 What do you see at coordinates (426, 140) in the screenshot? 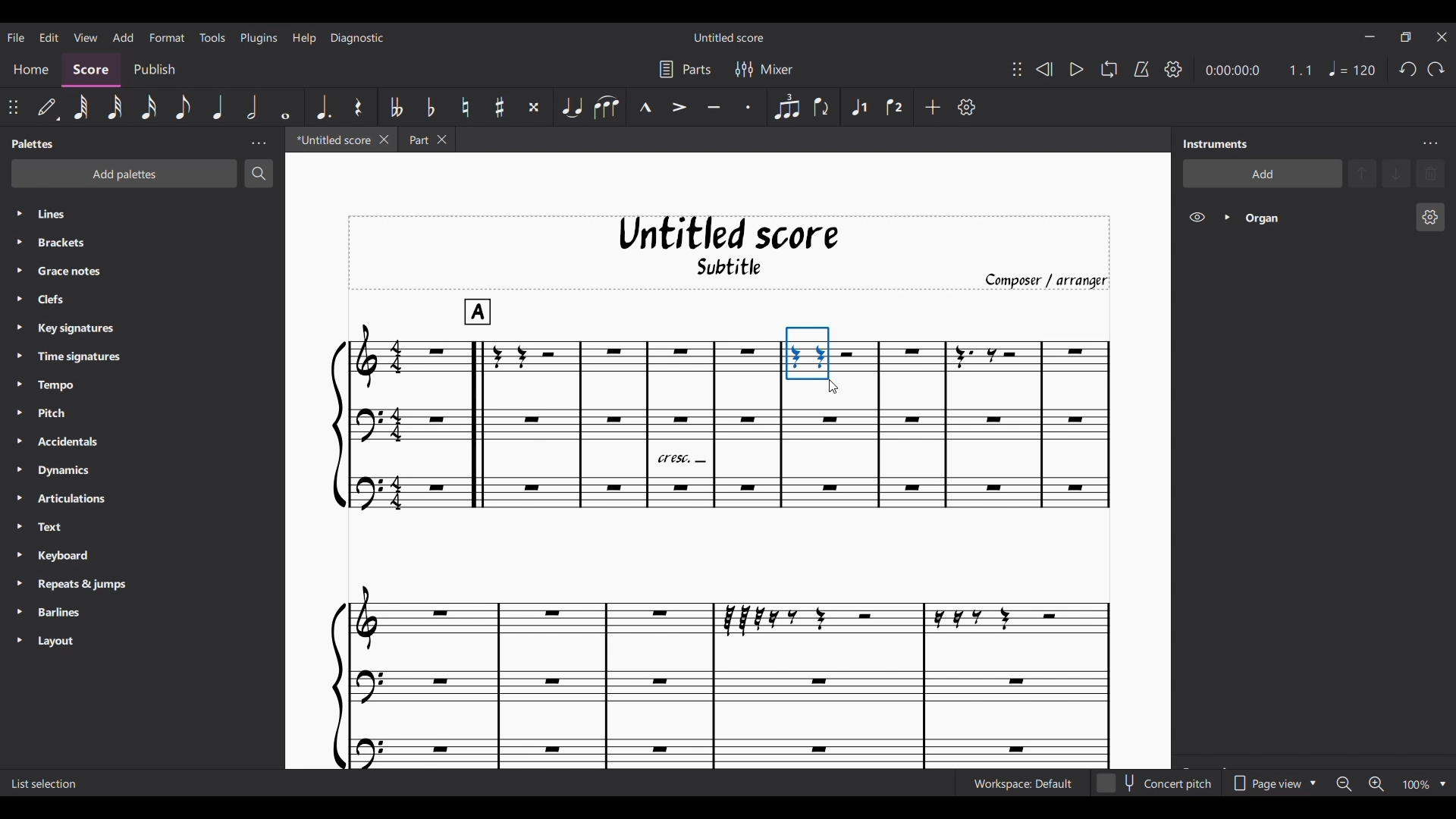
I see `Earlier tab` at bounding box center [426, 140].